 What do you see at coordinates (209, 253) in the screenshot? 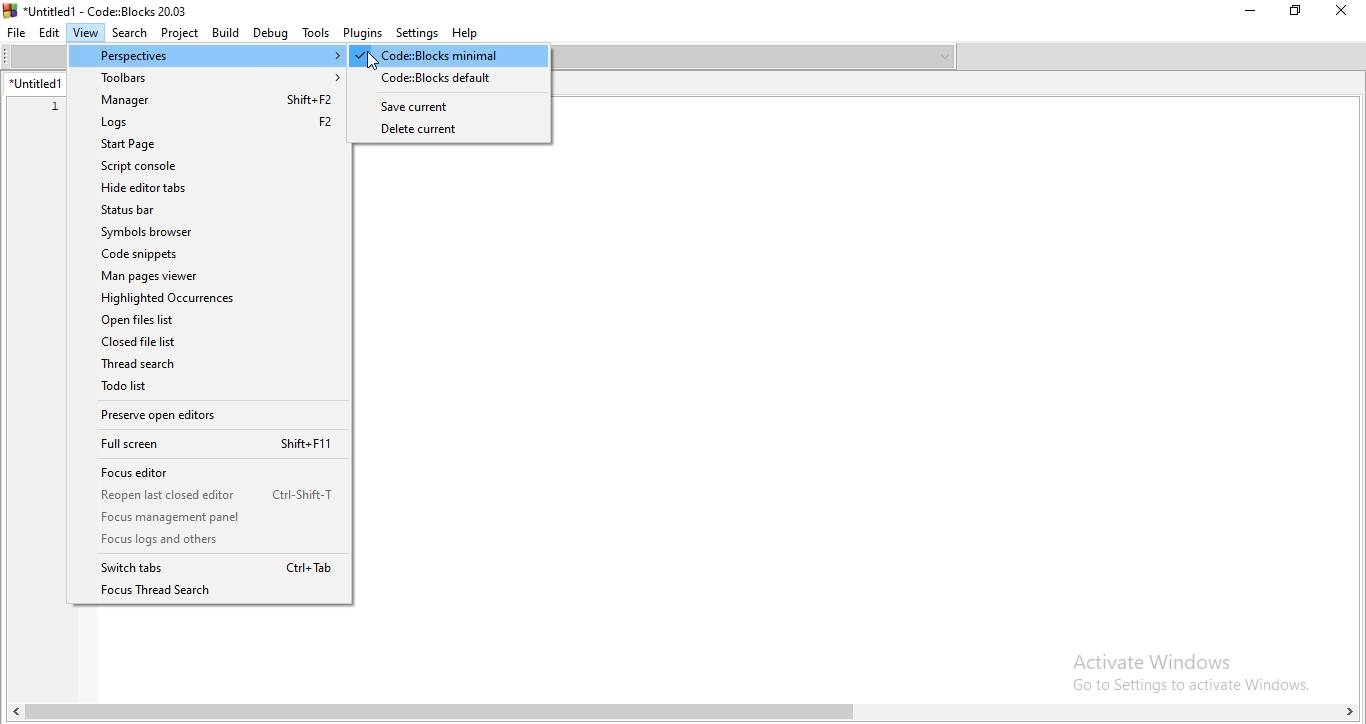
I see `Code snippets` at bounding box center [209, 253].